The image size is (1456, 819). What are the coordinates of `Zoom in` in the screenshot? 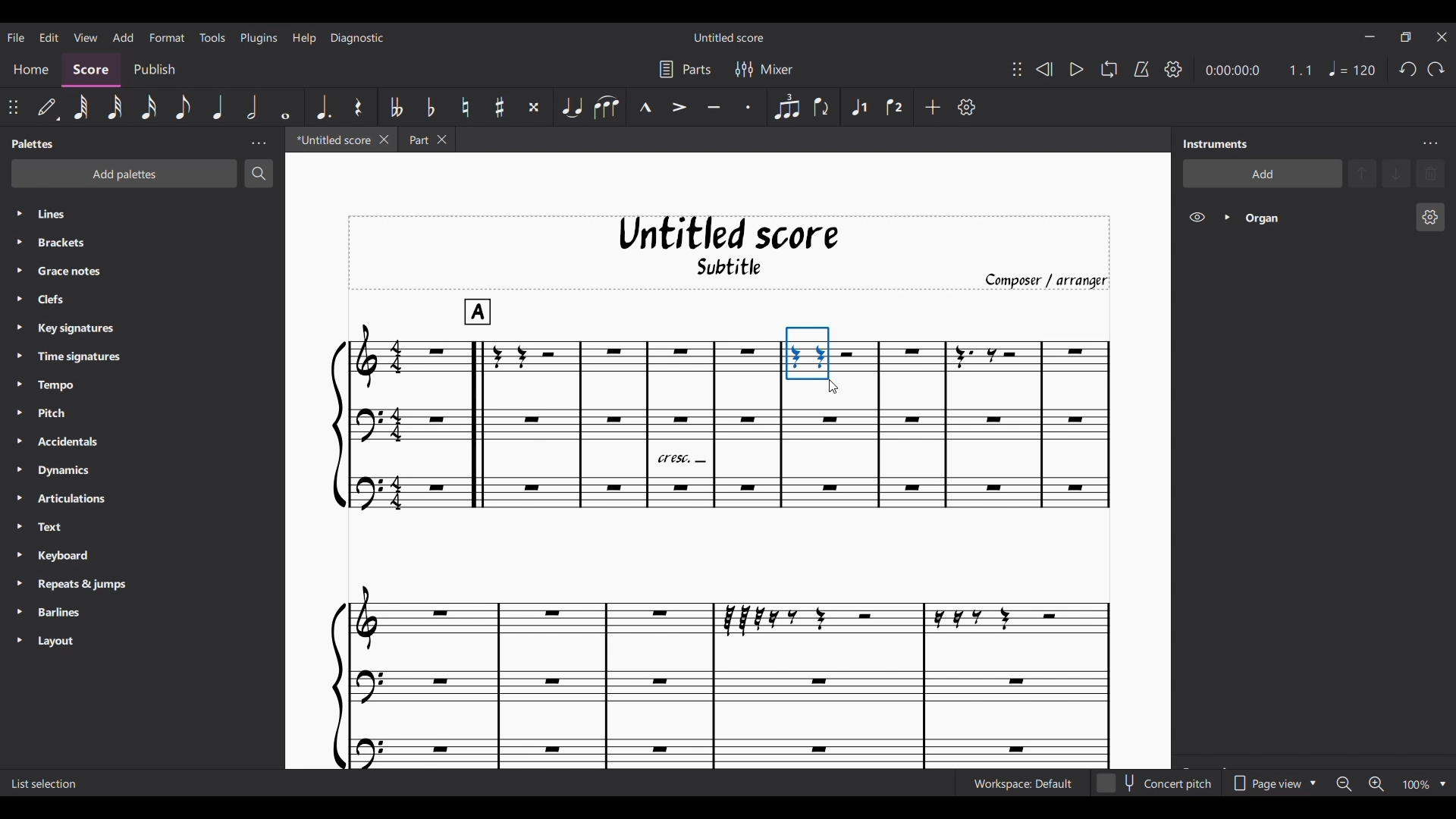 It's located at (1376, 783).